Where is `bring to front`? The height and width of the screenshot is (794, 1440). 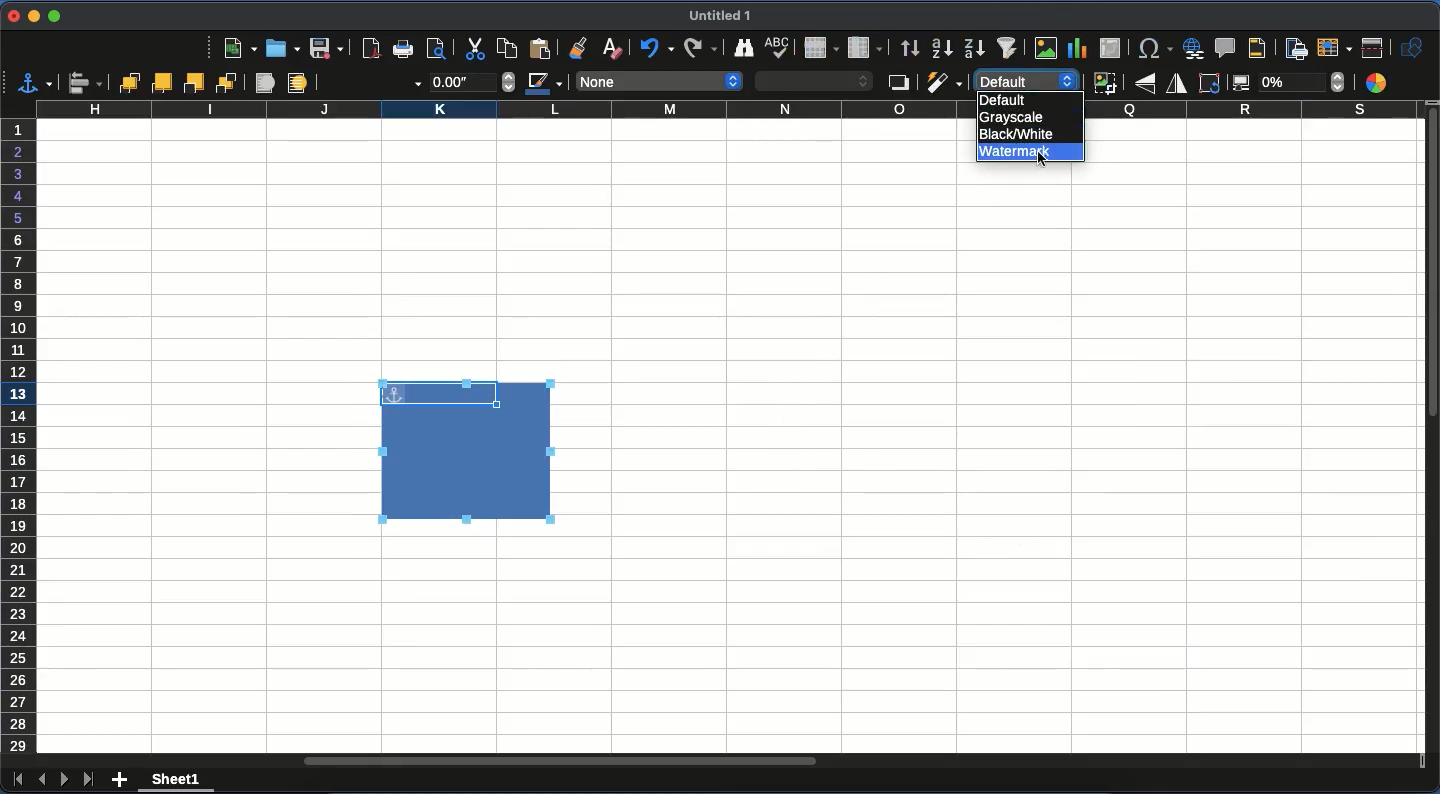
bring to front is located at coordinates (126, 83).